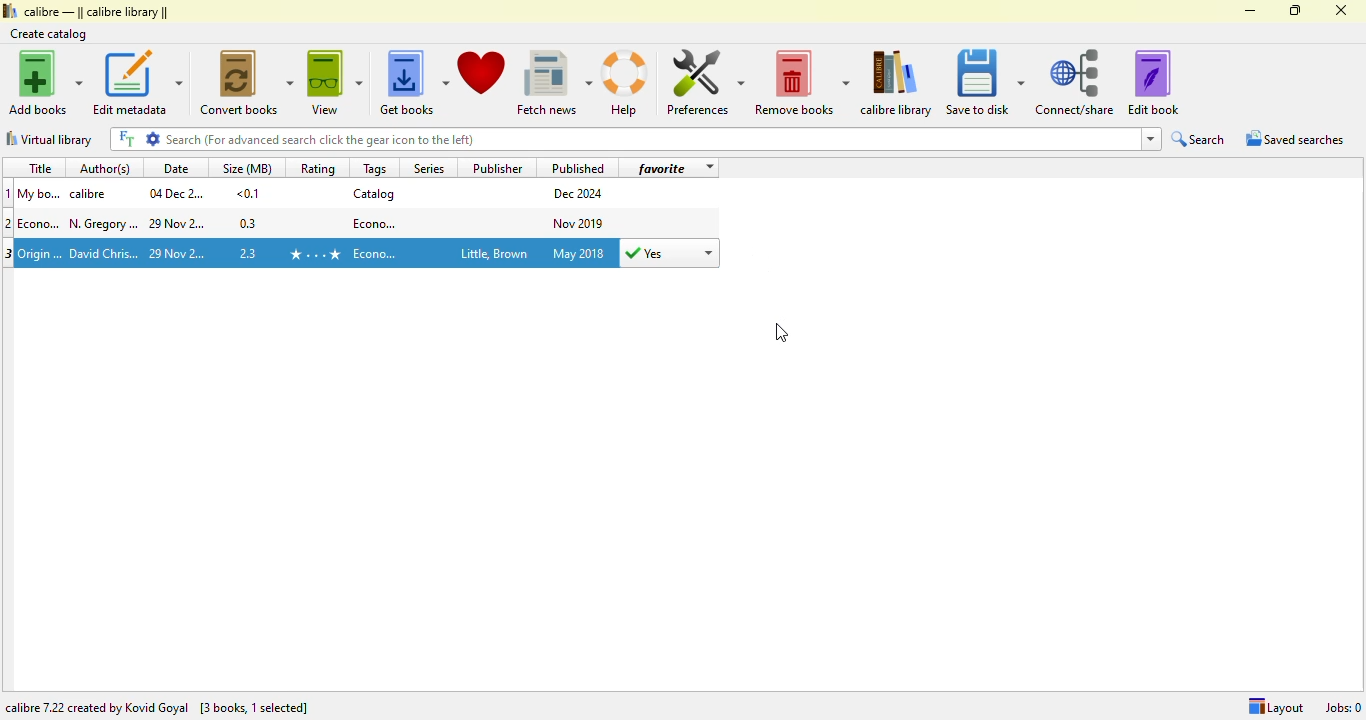  I want to click on published, so click(578, 167).